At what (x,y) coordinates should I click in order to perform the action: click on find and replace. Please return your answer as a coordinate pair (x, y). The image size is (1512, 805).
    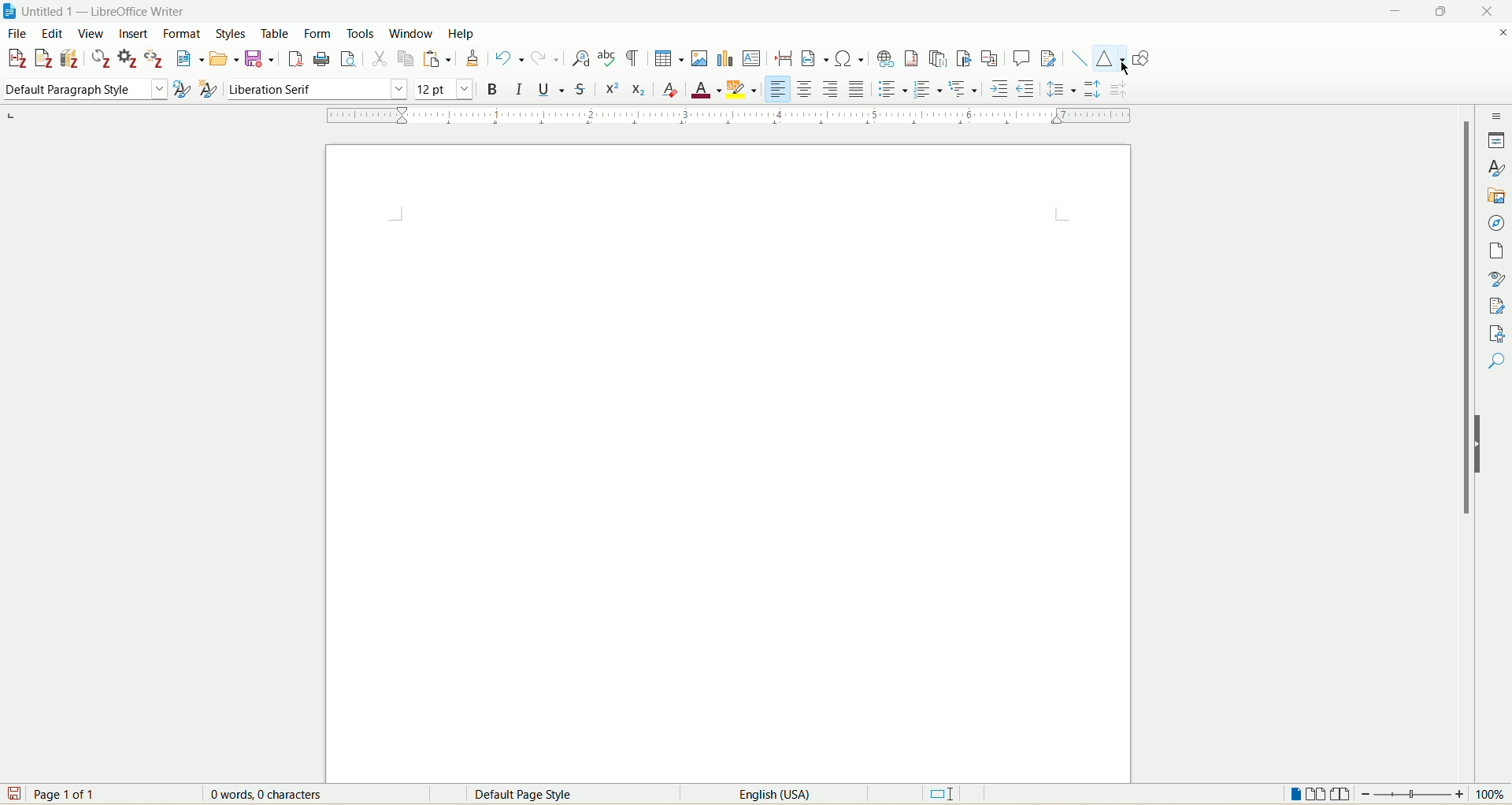
    Looking at the image, I should click on (582, 59).